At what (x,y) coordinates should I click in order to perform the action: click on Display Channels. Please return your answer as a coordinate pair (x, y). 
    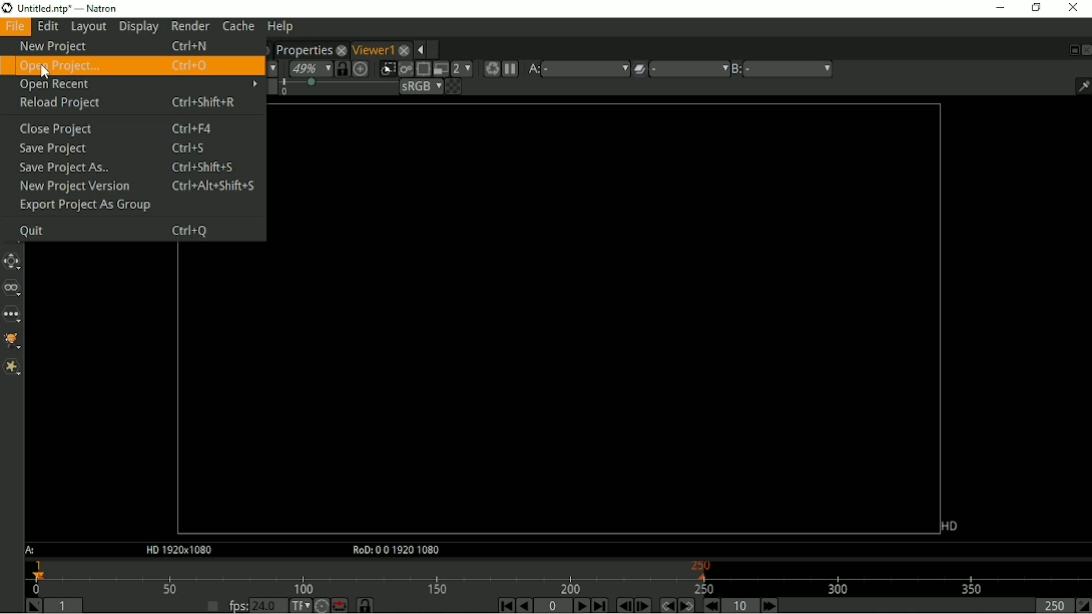
    Looking at the image, I should click on (270, 67).